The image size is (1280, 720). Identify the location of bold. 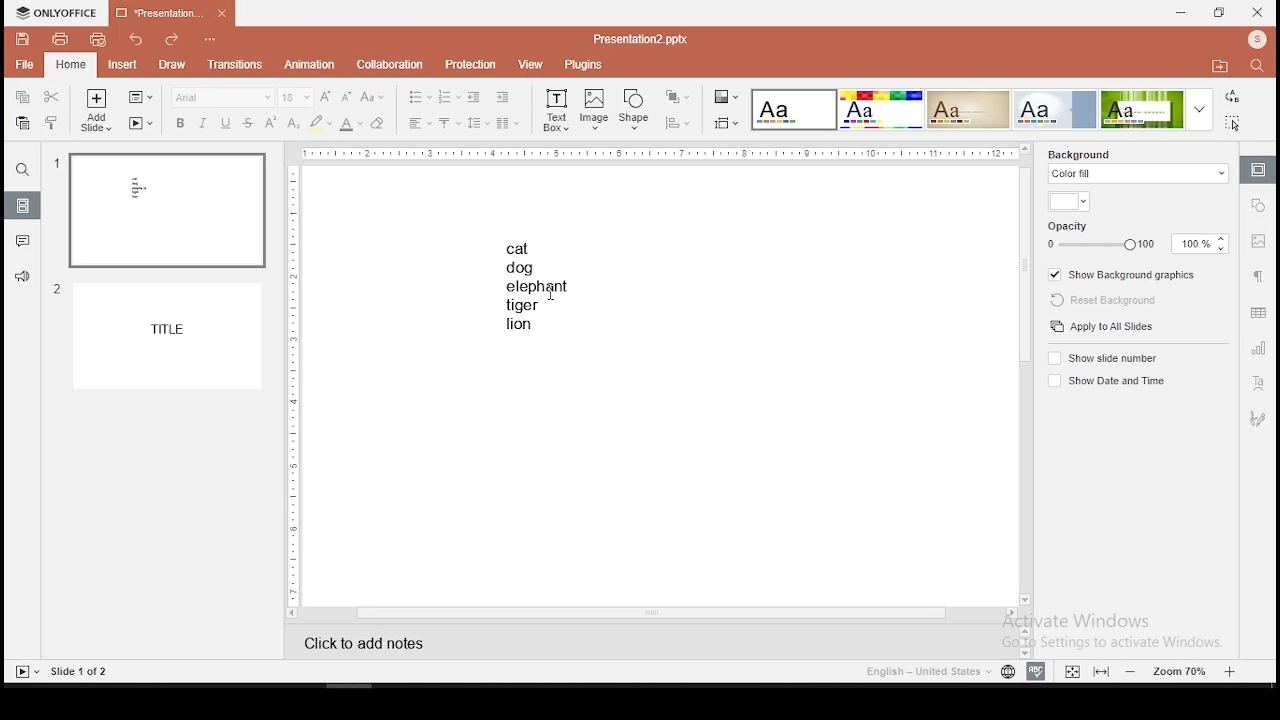
(176, 123).